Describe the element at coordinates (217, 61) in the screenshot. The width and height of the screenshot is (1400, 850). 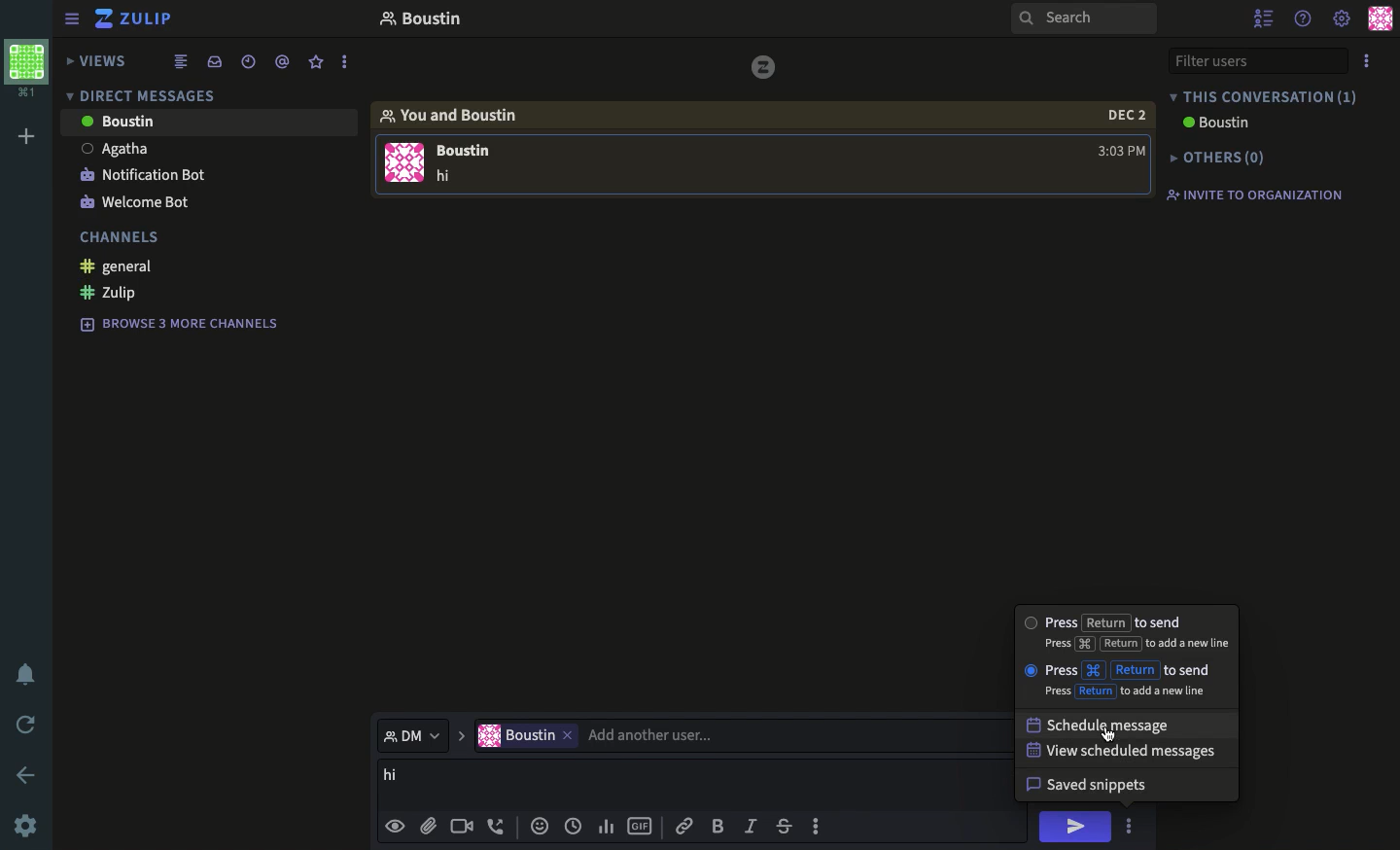
I see `inbox` at that location.